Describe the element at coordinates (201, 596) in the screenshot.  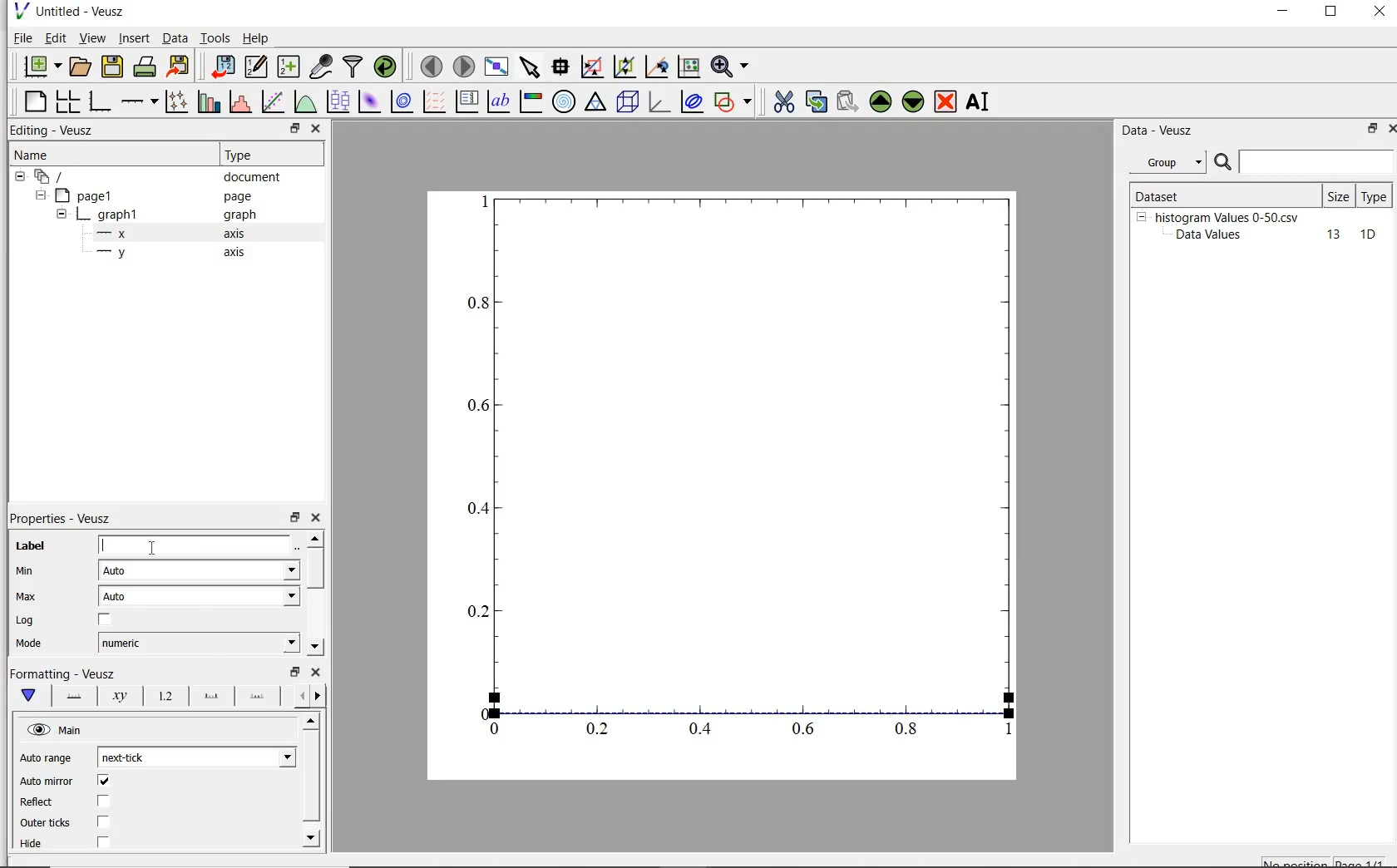
I see `auto` at that location.